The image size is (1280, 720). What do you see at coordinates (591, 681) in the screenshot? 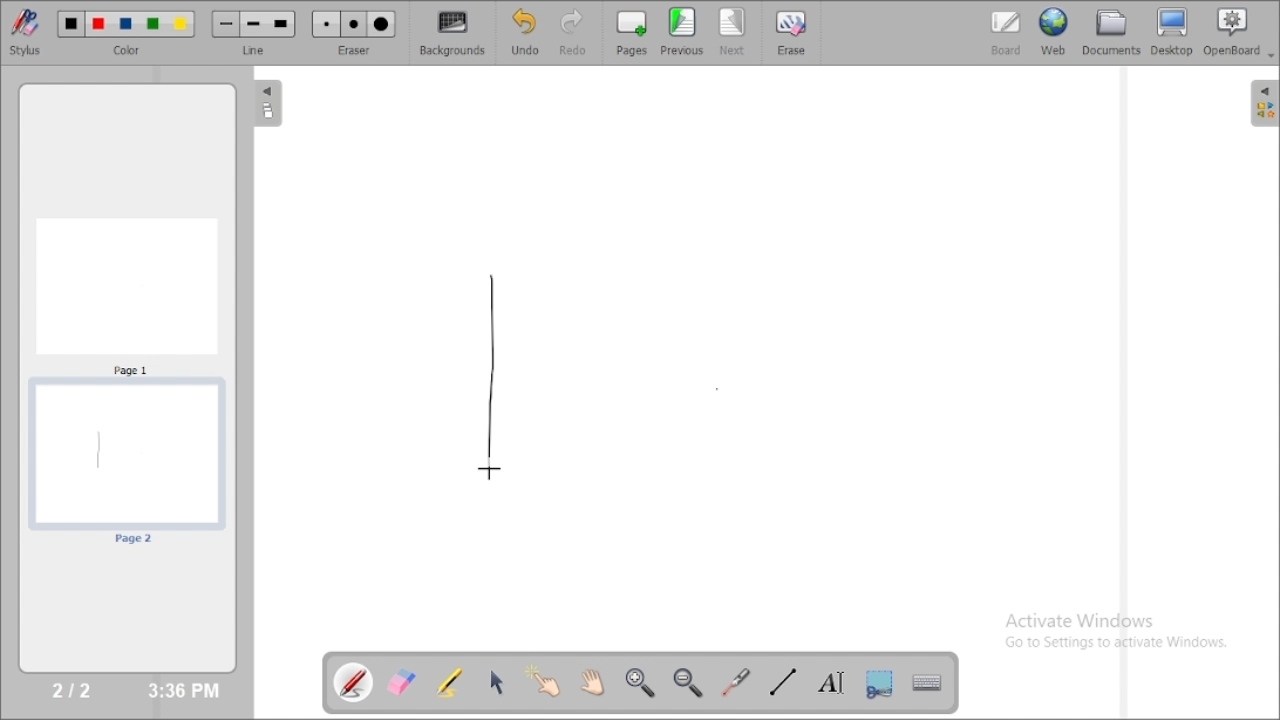
I see `scroll page` at bounding box center [591, 681].